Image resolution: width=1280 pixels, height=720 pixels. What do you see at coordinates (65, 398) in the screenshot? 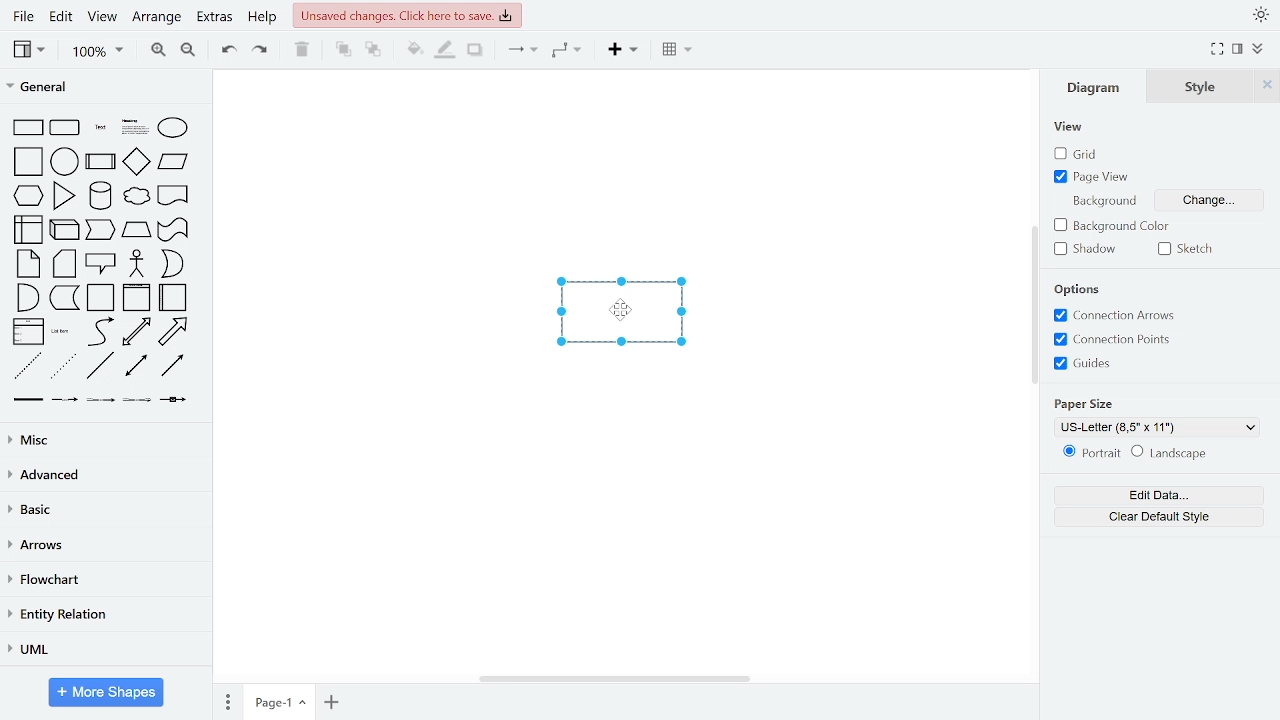
I see `general shapes` at bounding box center [65, 398].